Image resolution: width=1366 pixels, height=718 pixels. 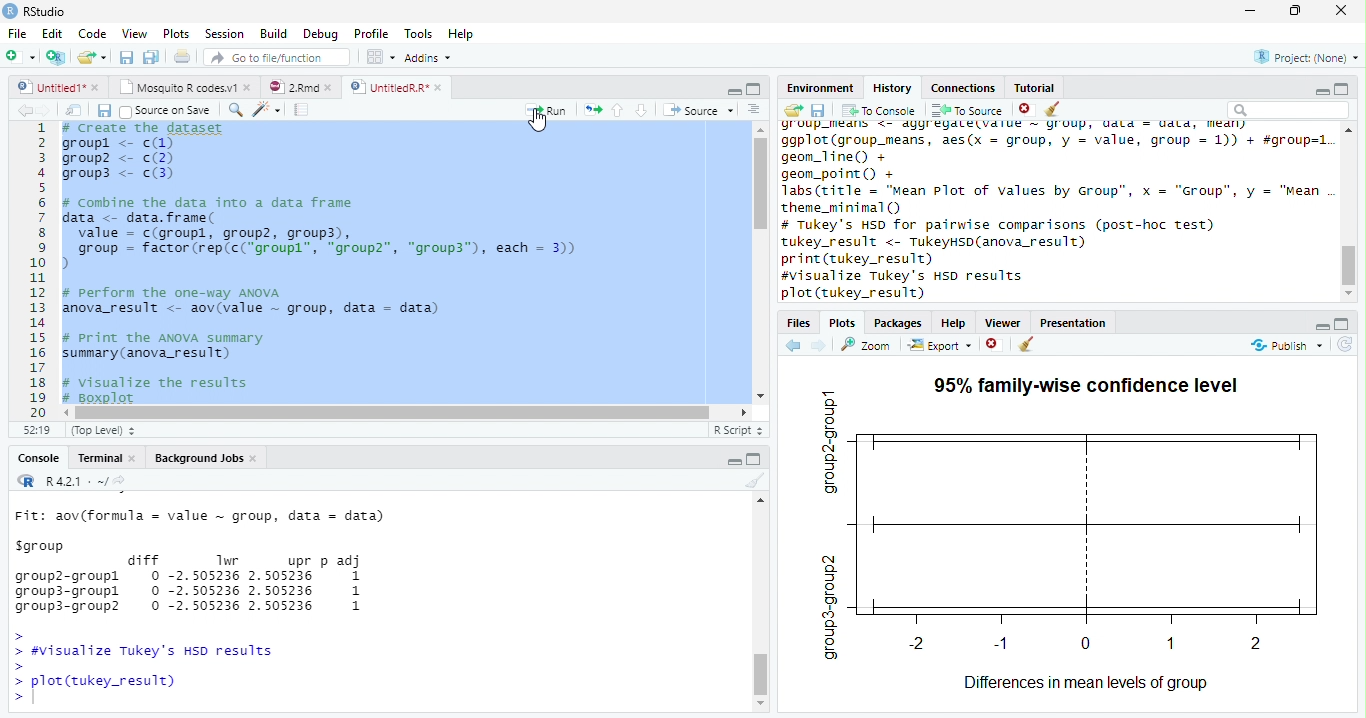 I want to click on Scrollbar, so click(x=758, y=263).